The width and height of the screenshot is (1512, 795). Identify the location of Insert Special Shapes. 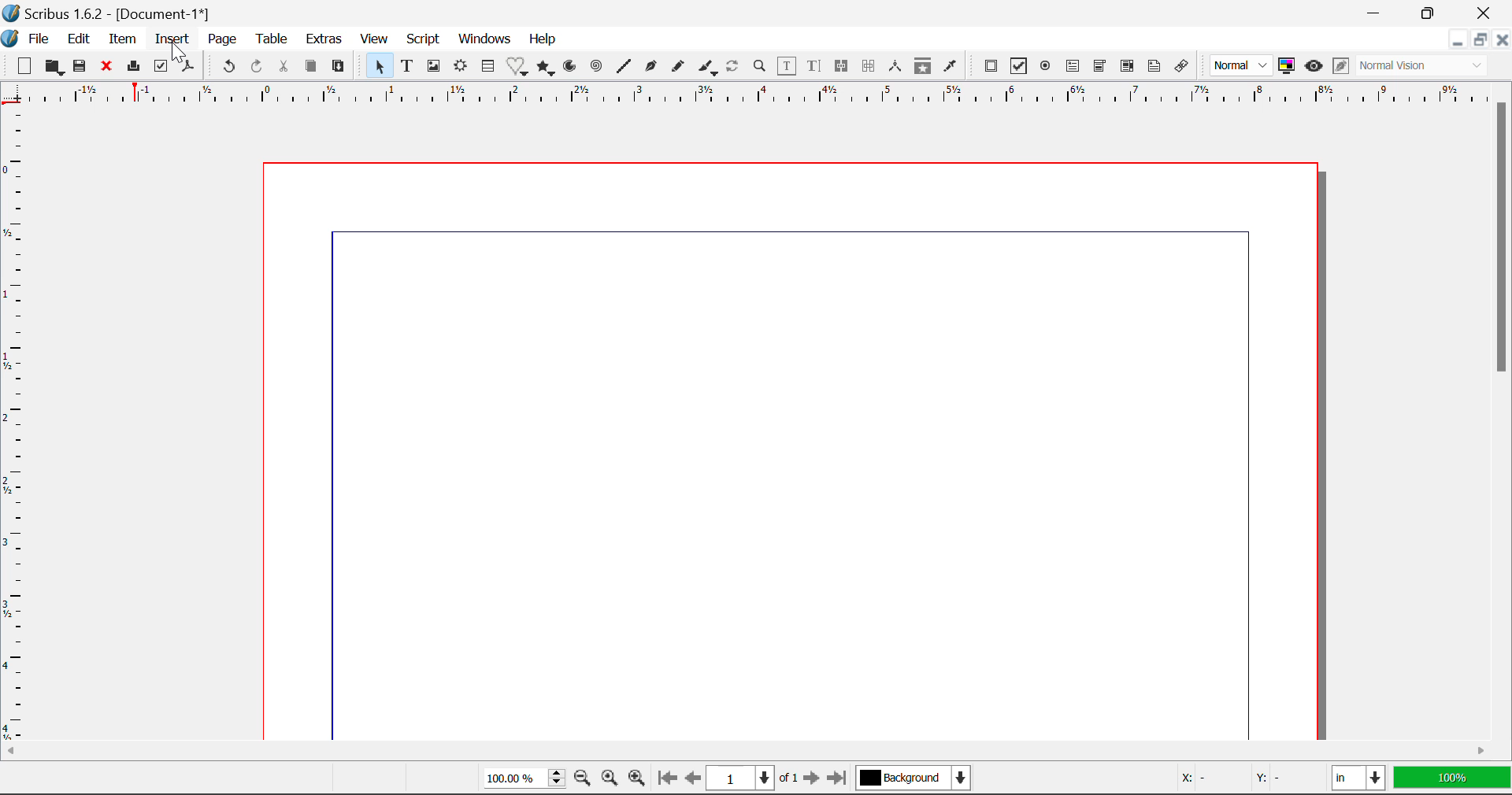
(518, 68).